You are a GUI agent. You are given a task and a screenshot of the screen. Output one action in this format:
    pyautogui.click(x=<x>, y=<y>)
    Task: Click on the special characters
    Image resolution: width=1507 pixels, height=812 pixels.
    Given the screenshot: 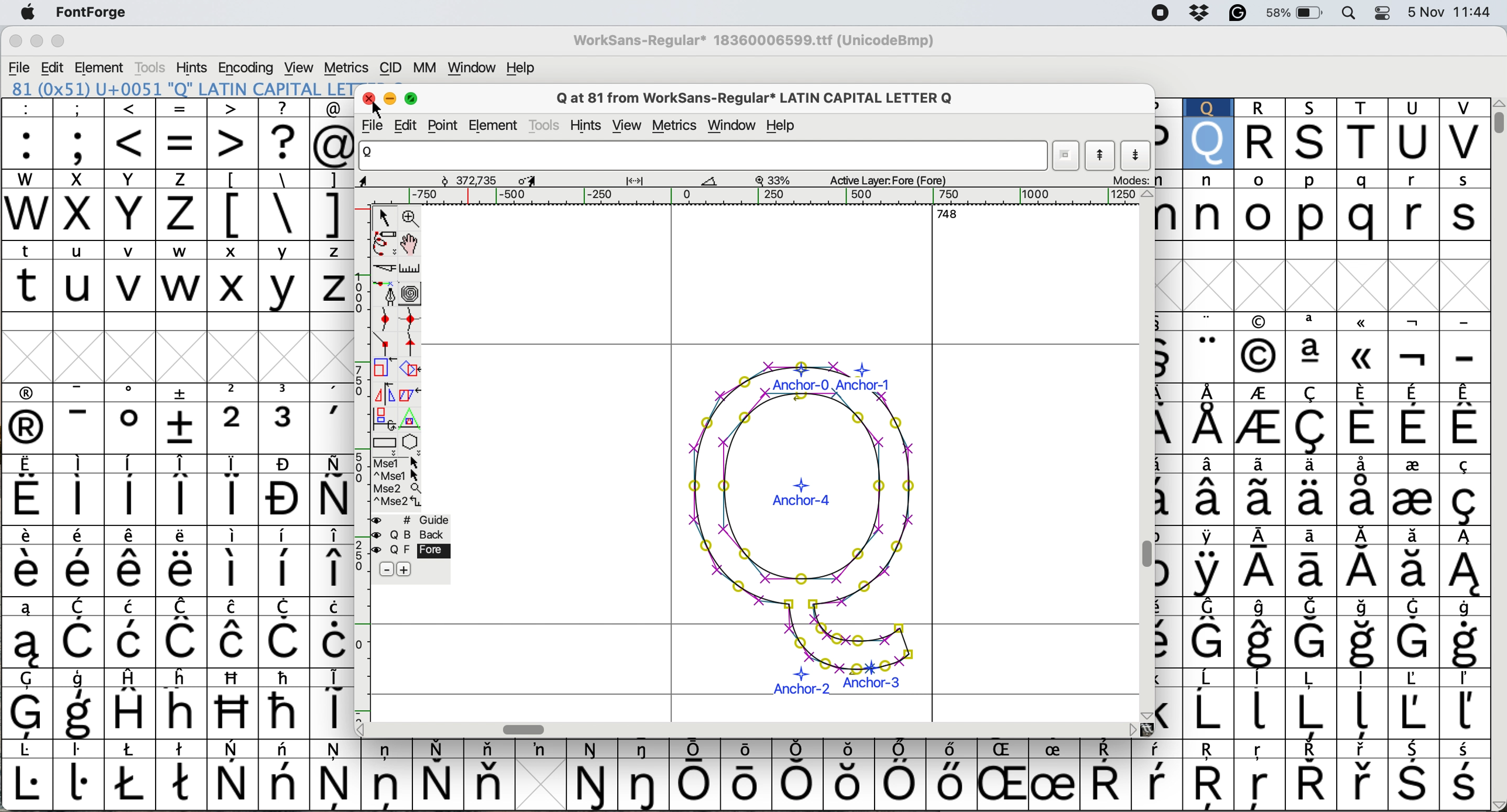 What is the action you would take?
    pyautogui.click(x=183, y=112)
    